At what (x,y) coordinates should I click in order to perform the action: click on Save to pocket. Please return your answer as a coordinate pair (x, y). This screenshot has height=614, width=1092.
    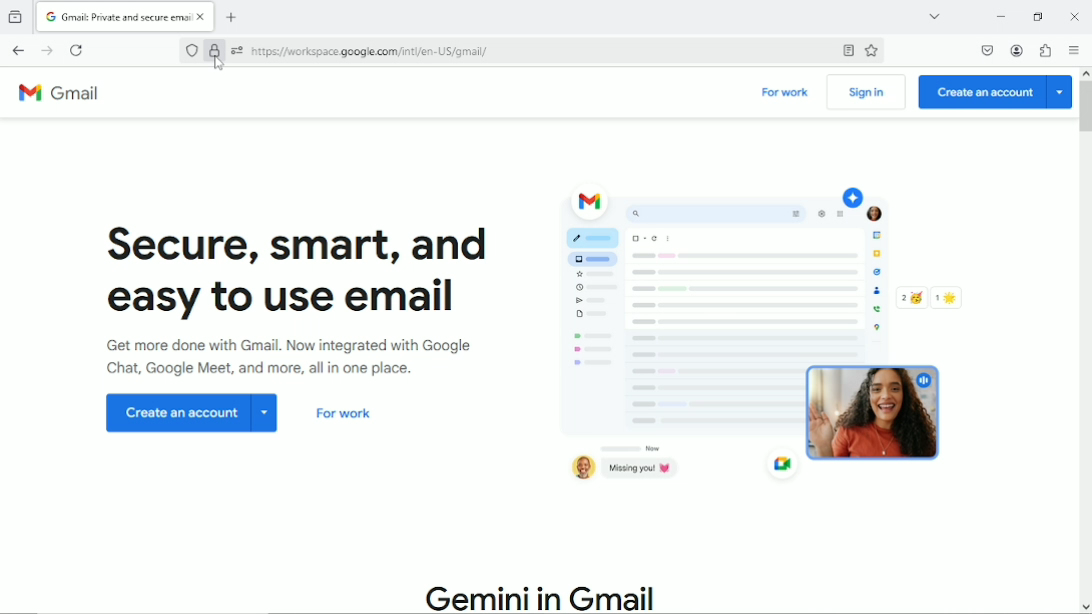
    Looking at the image, I should click on (986, 50).